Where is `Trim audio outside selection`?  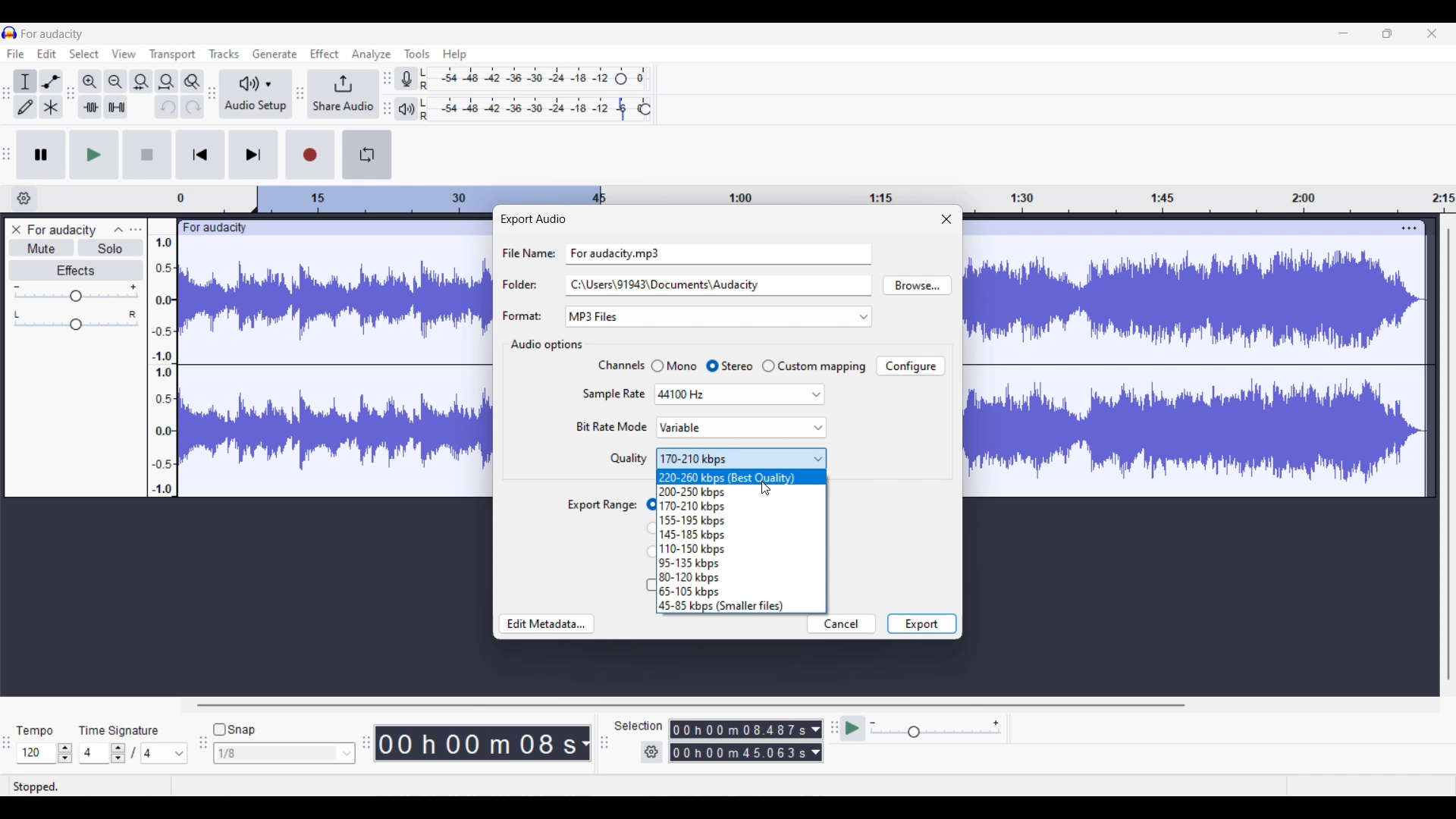
Trim audio outside selection is located at coordinates (90, 107).